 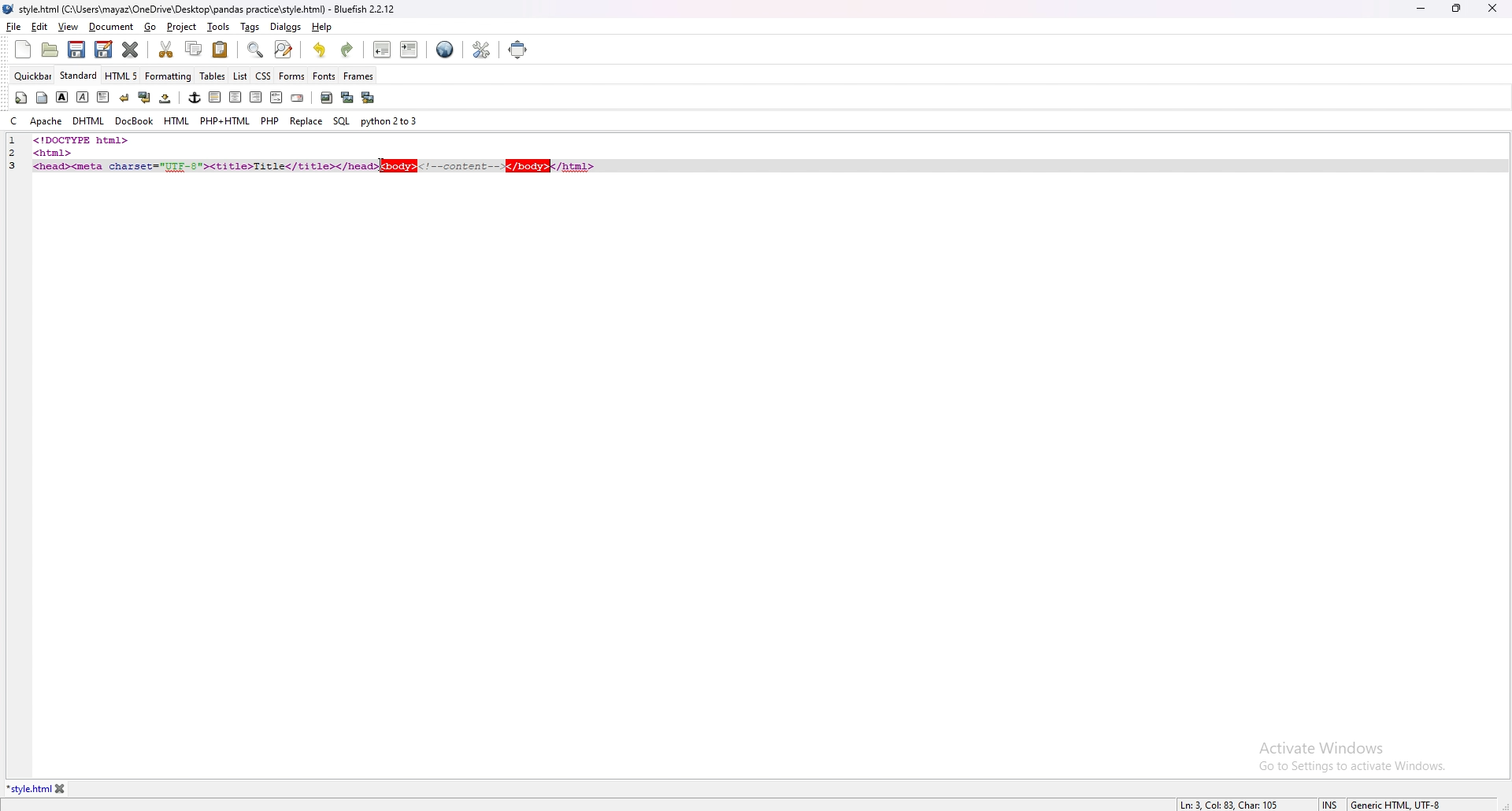 What do you see at coordinates (1226, 803) in the screenshot?
I see `line info` at bounding box center [1226, 803].